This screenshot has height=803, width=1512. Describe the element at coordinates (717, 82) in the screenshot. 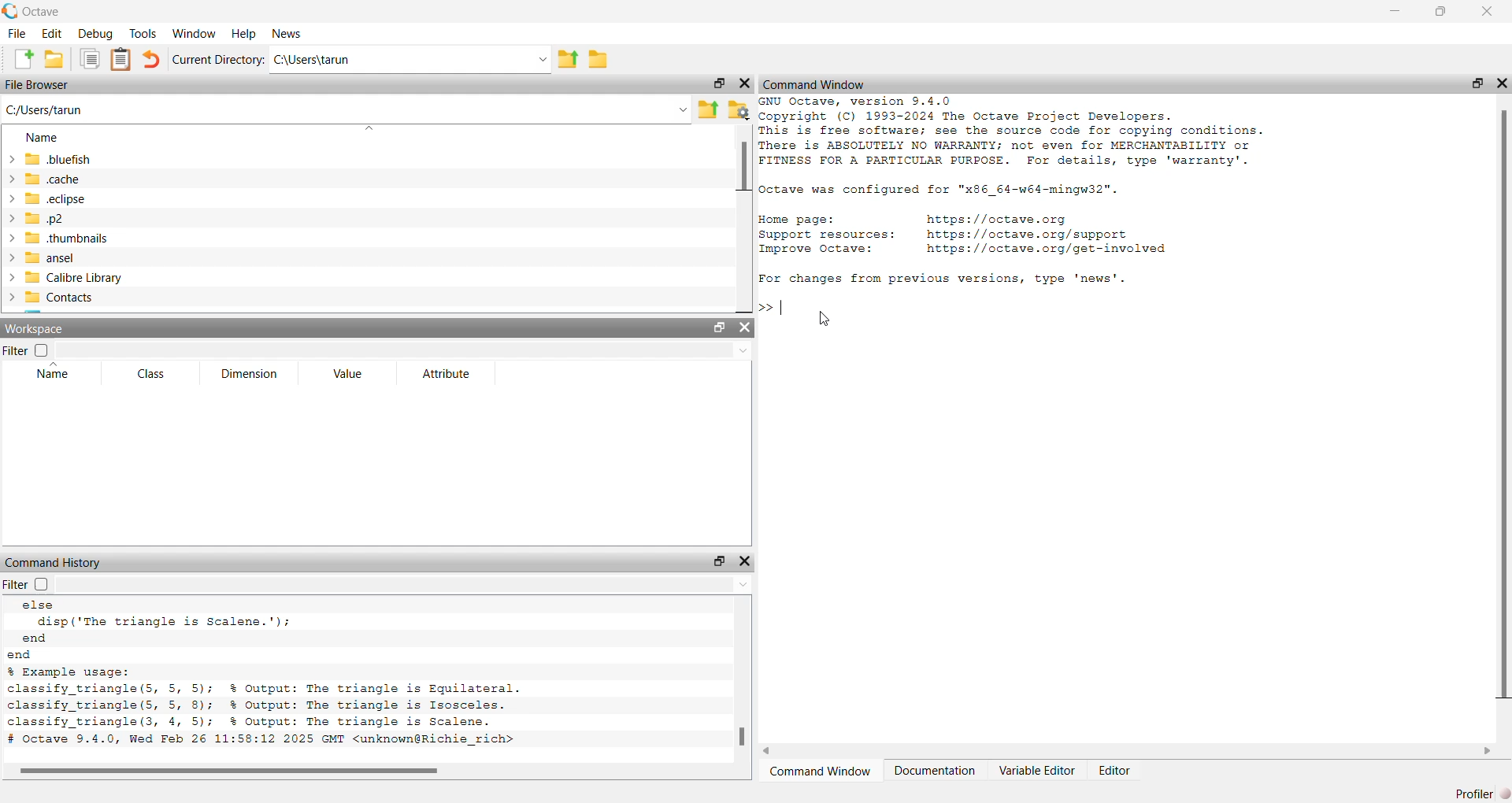

I see `unlock widget` at that location.